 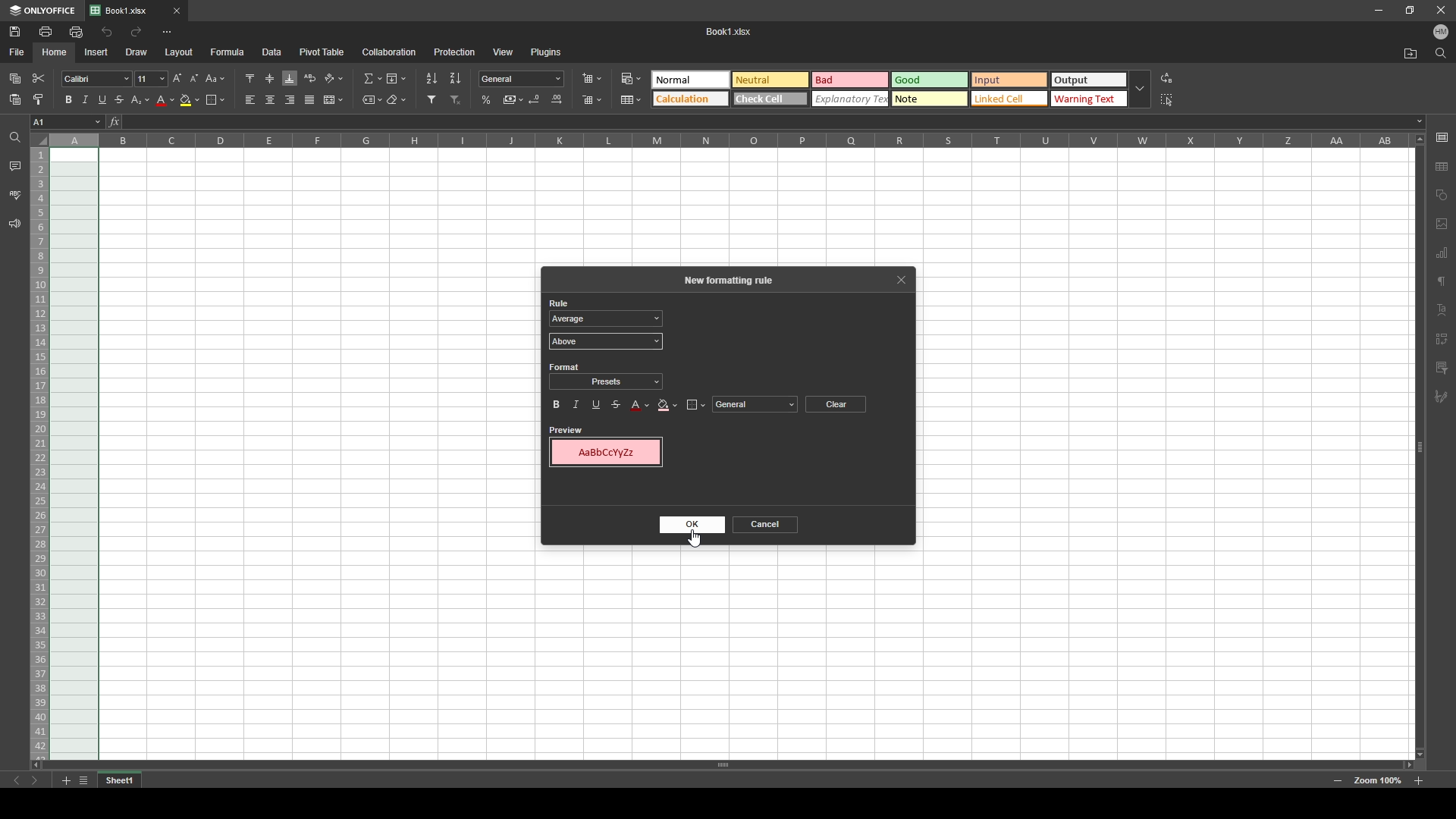 I want to click on data, so click(x=272, y=51).